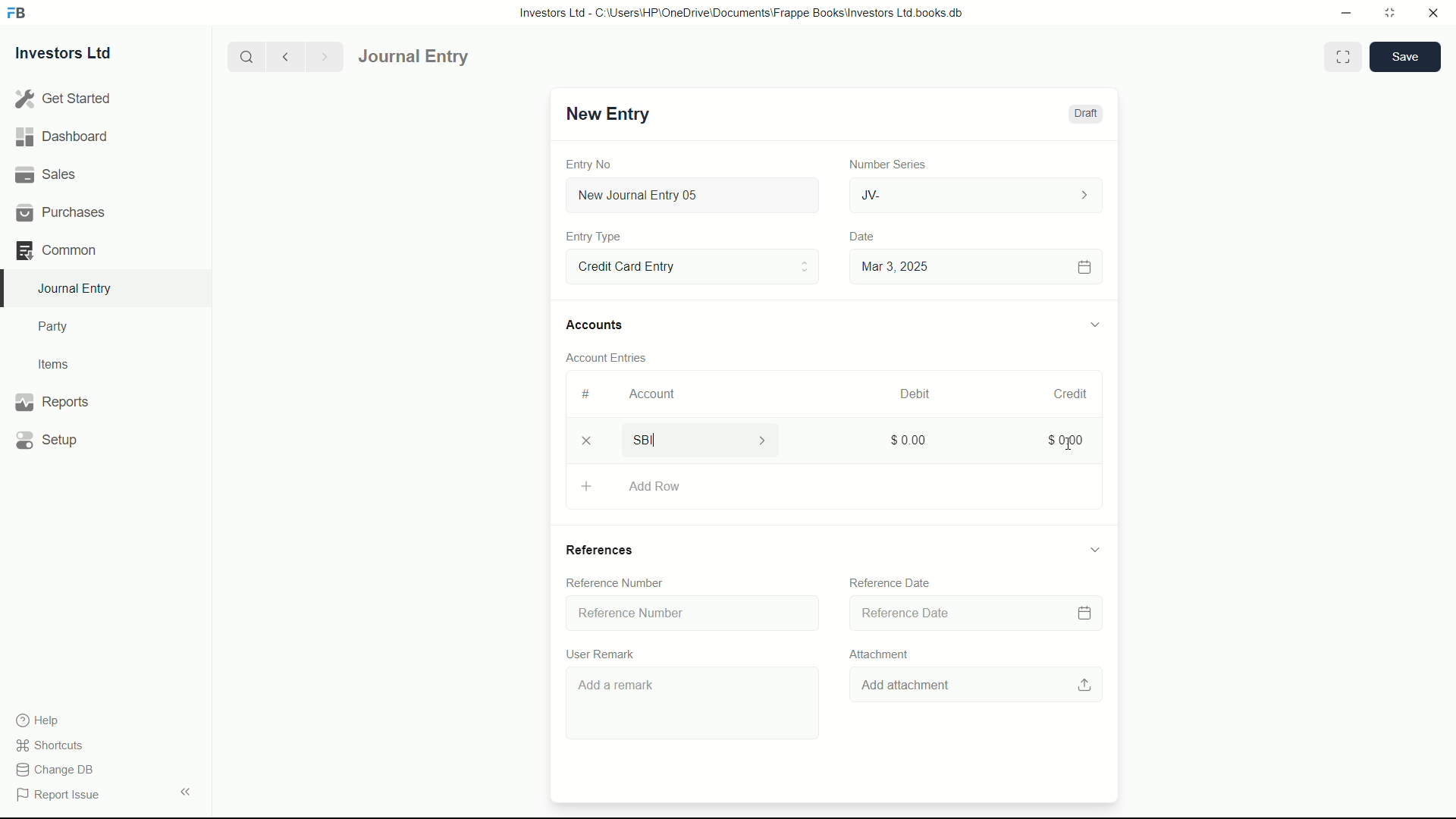 Image resolution: width=1456 pixels, height=819 pixels. What do you see at coordinates (1406, 57) in the screenshot?
I see `save` at bounding box center [1406, 57].